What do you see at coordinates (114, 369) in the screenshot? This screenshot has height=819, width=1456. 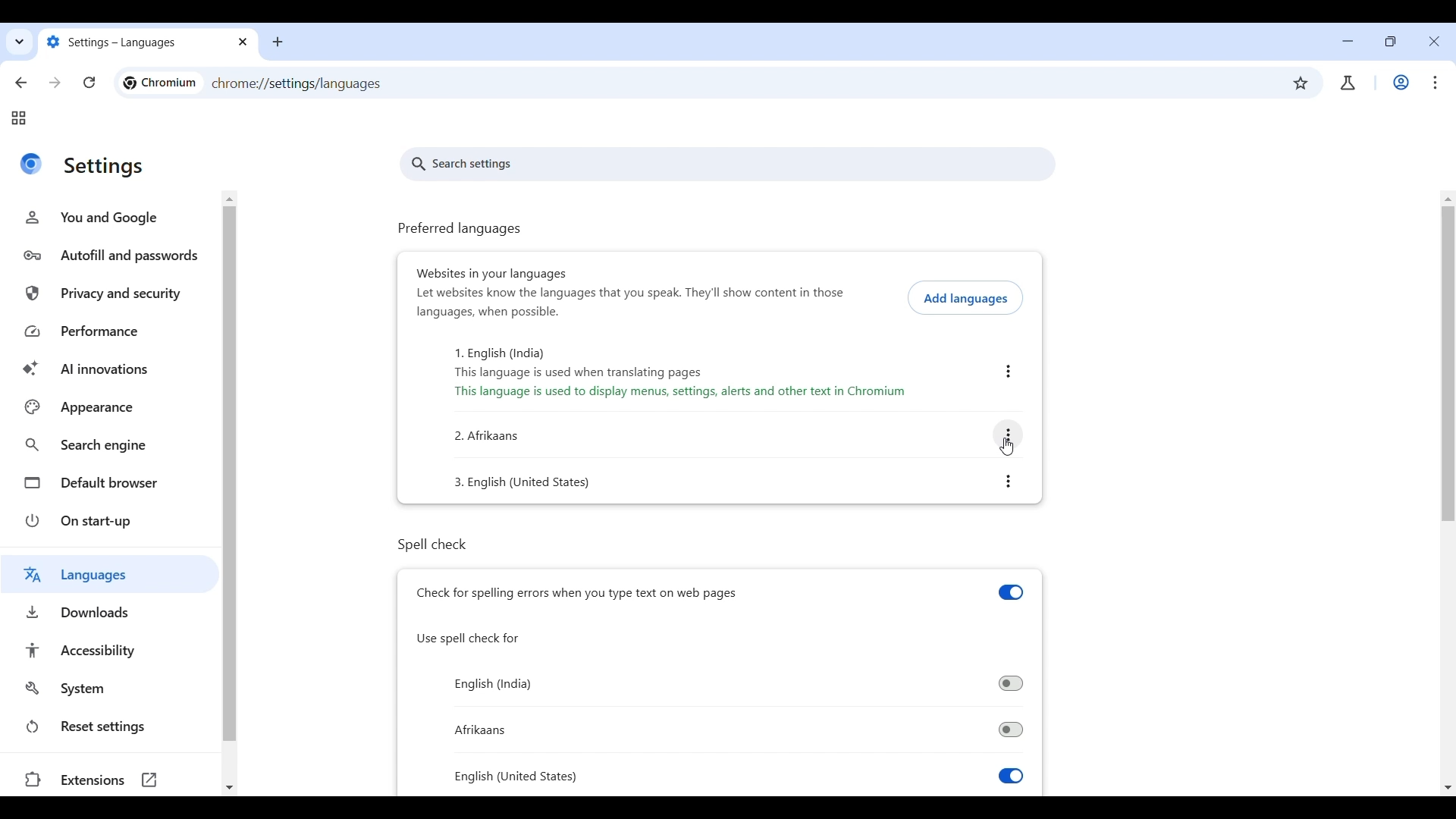 I see `AI innovations` at bounding box center [114, 369].